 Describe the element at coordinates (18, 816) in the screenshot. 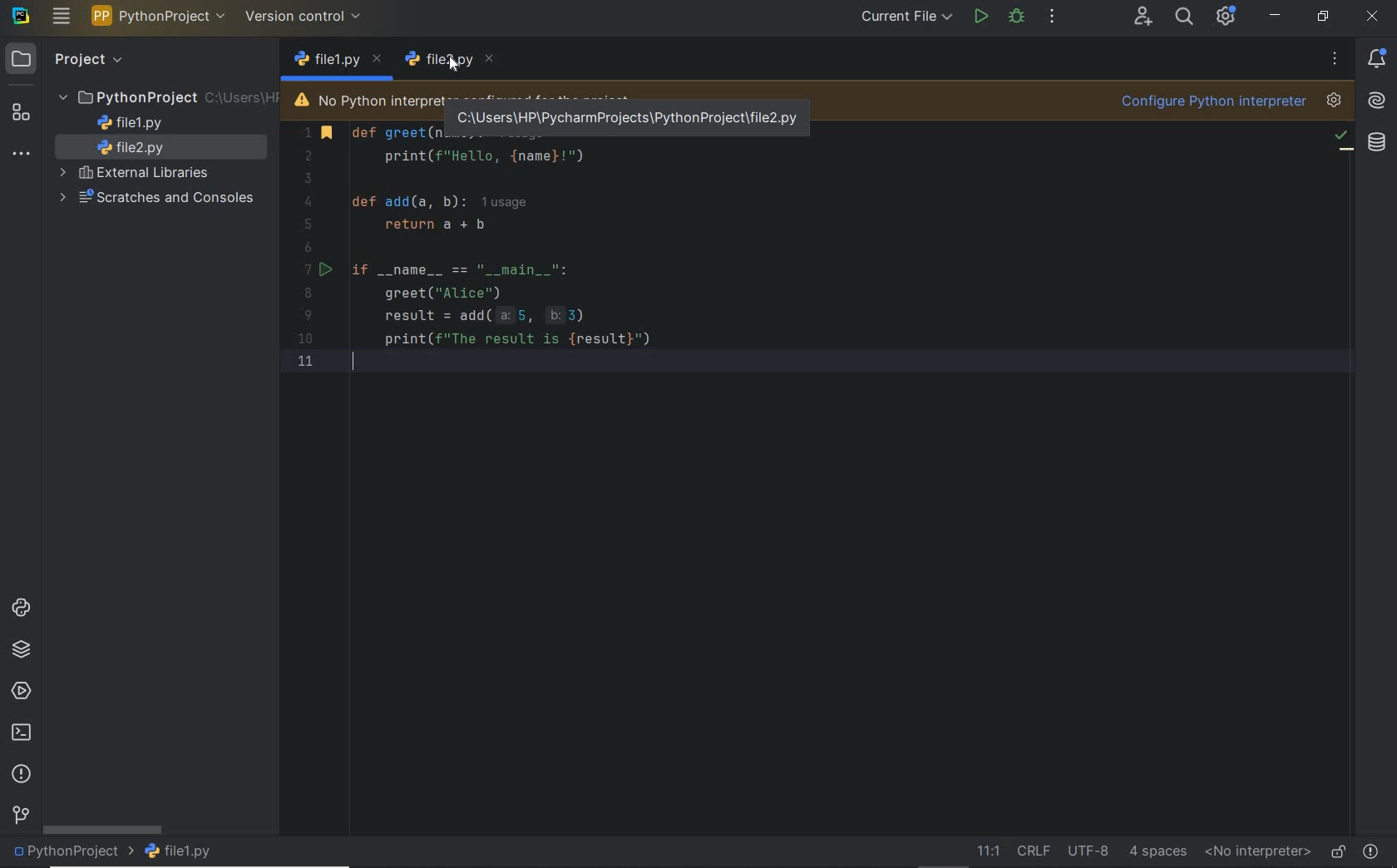

I see `version control` at that location.